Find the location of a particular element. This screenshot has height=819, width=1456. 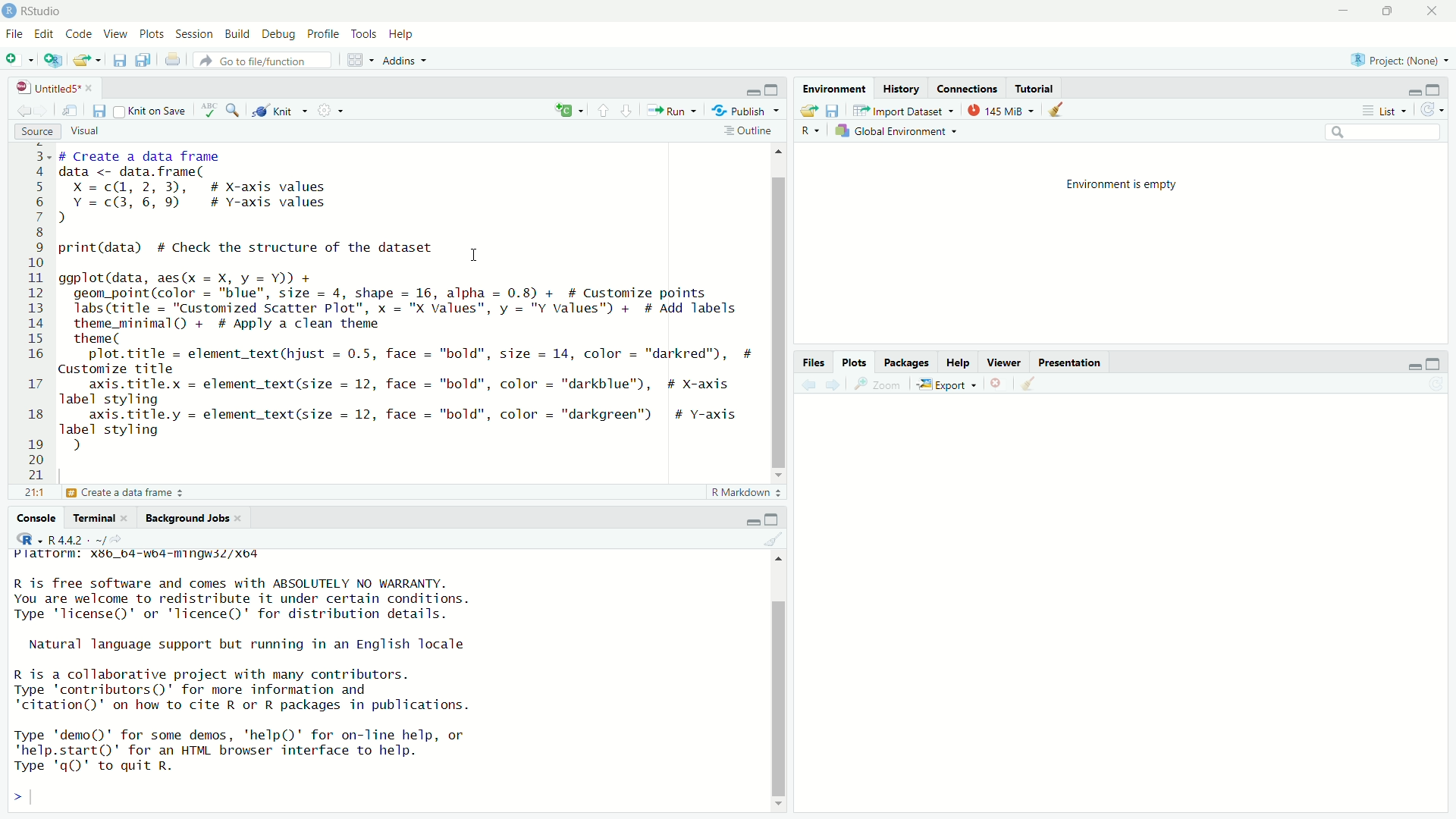

Plots is located at coordinates (855, 364).